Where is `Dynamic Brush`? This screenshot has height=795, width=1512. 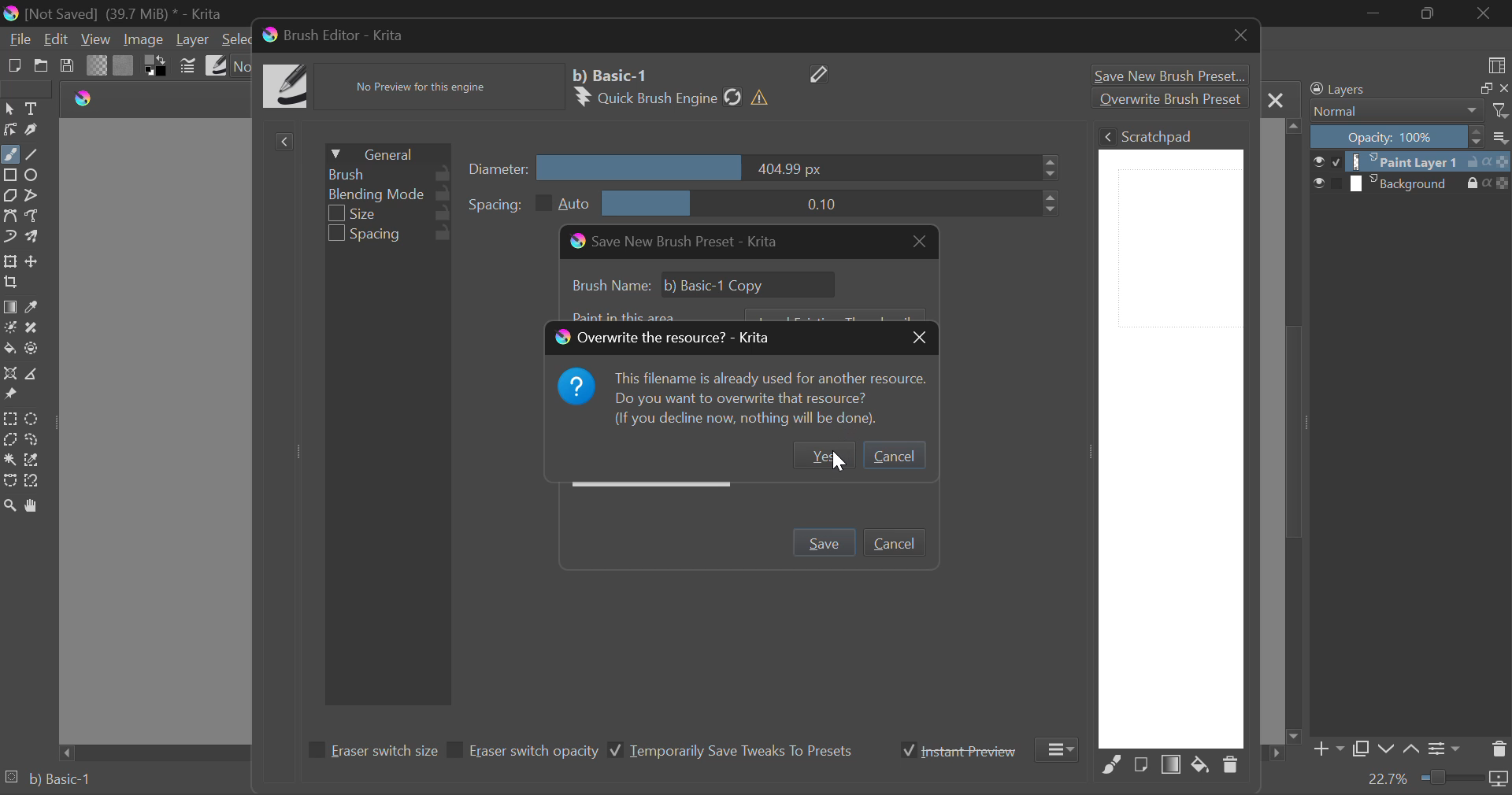 Dynamic Brush is located at coordinates (9, 237).